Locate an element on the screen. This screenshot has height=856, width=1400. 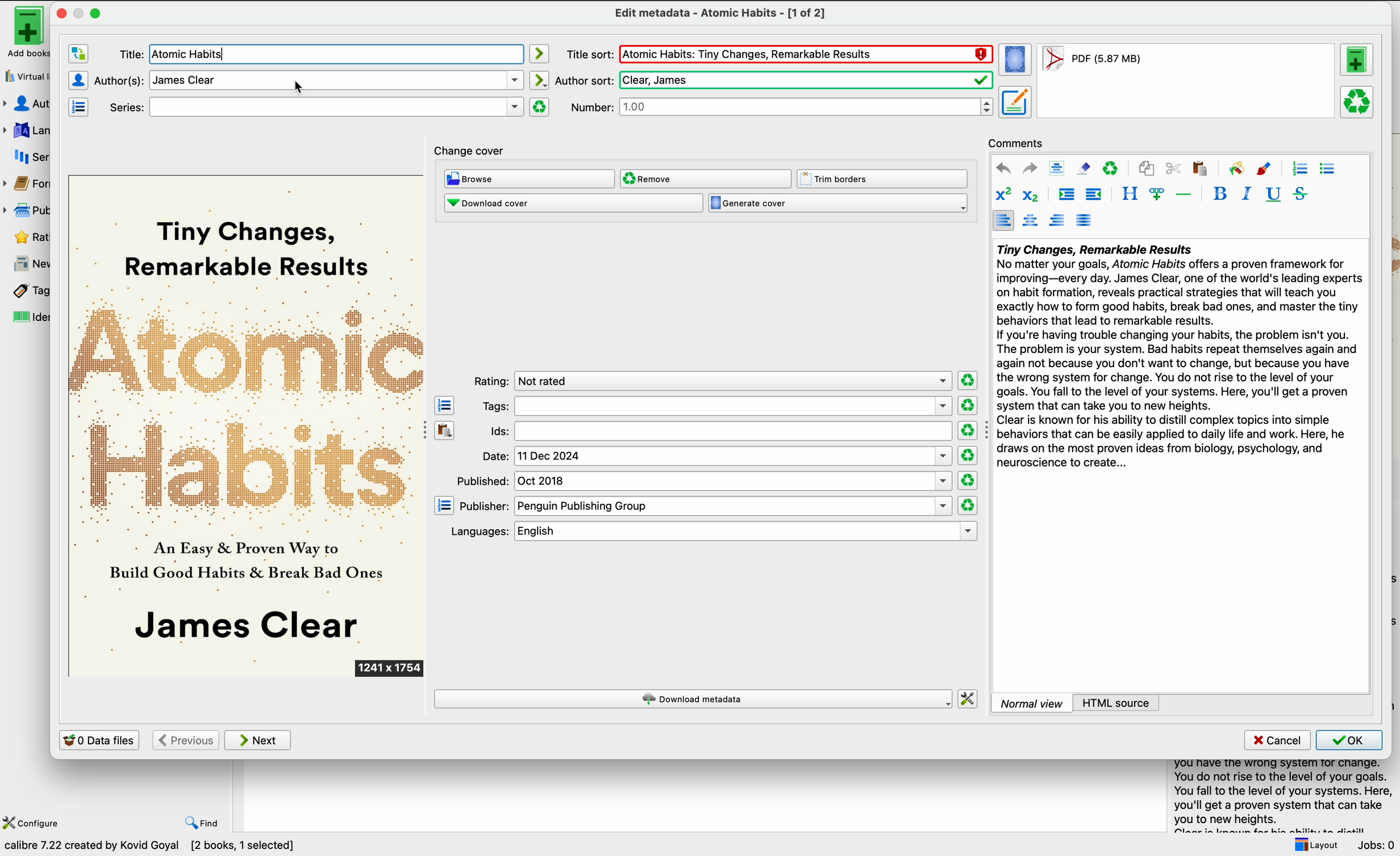
published is located at coordinates (705, 481).